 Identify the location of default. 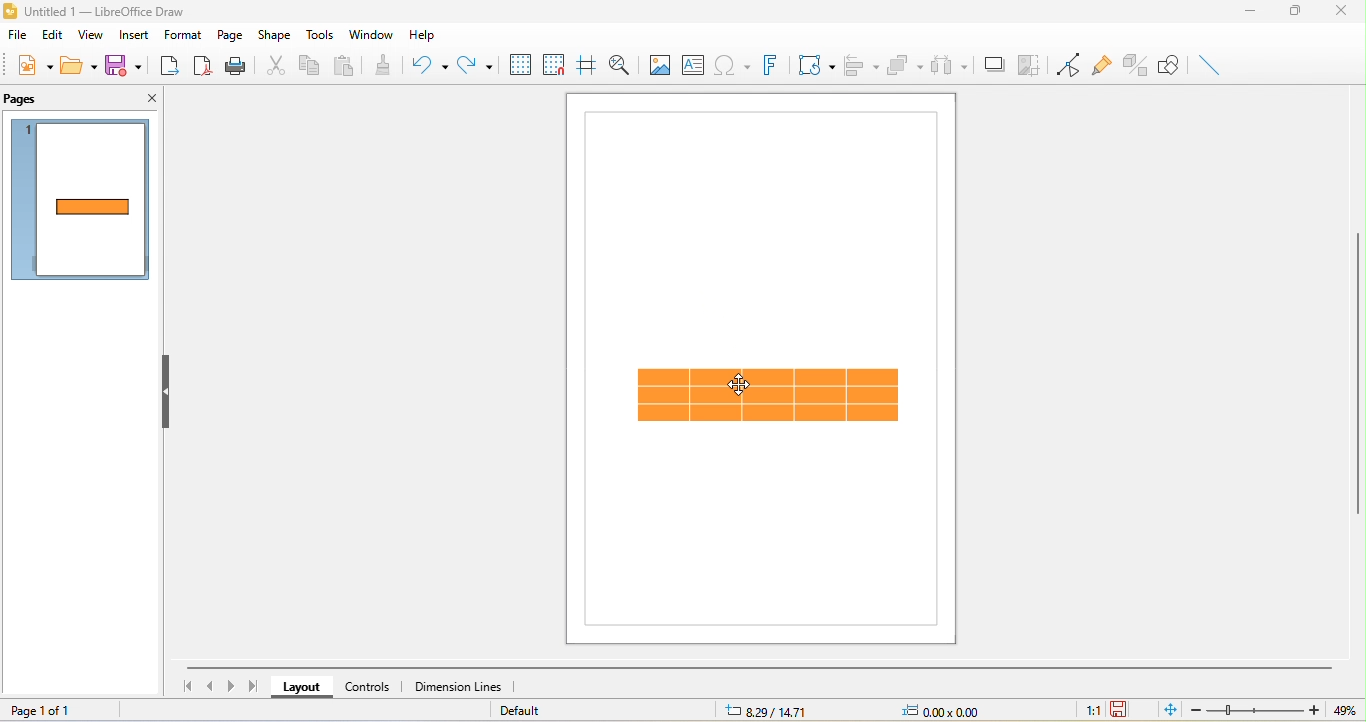
(542, 710).